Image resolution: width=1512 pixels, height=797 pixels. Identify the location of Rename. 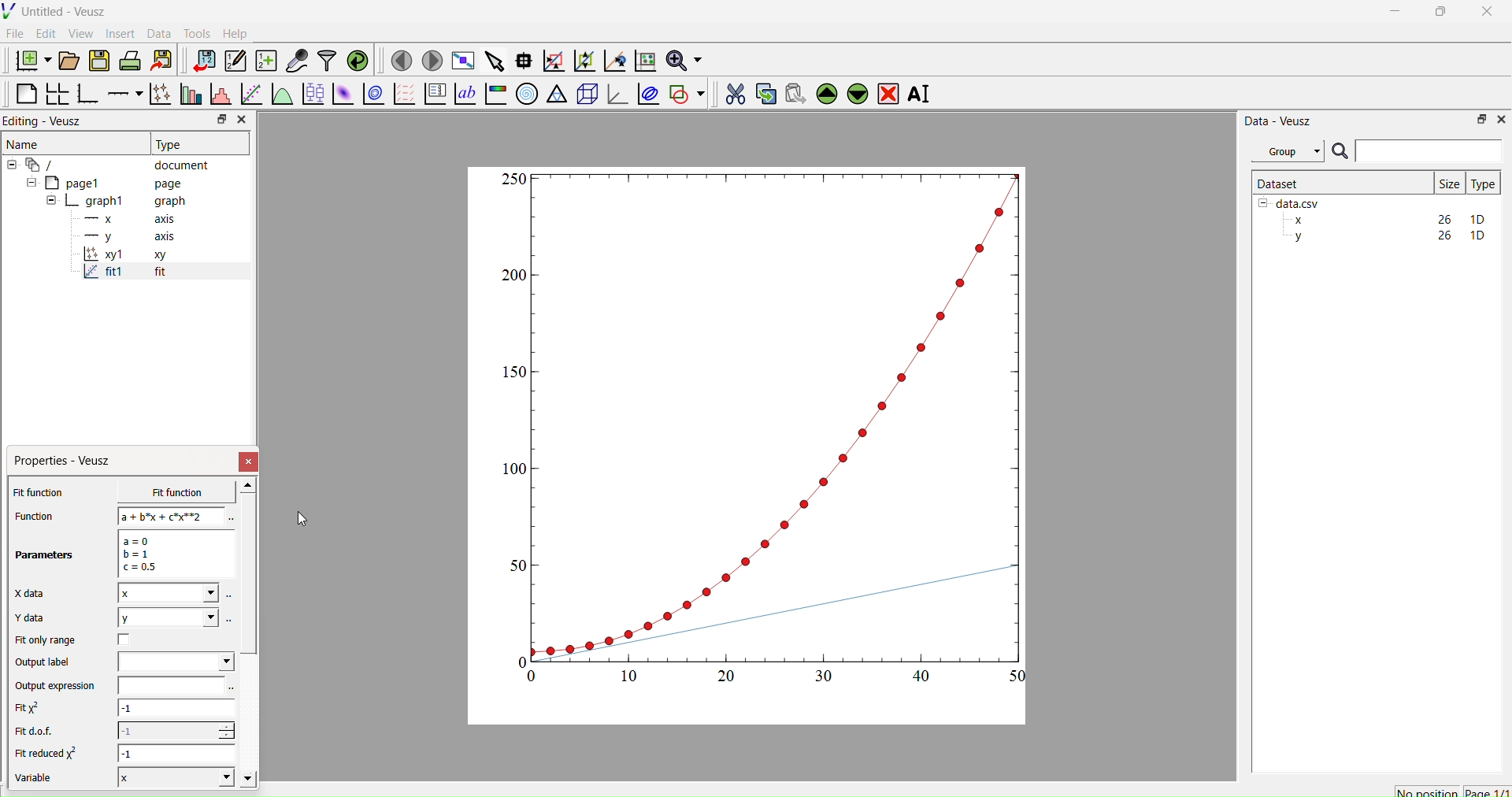
(922, 94).